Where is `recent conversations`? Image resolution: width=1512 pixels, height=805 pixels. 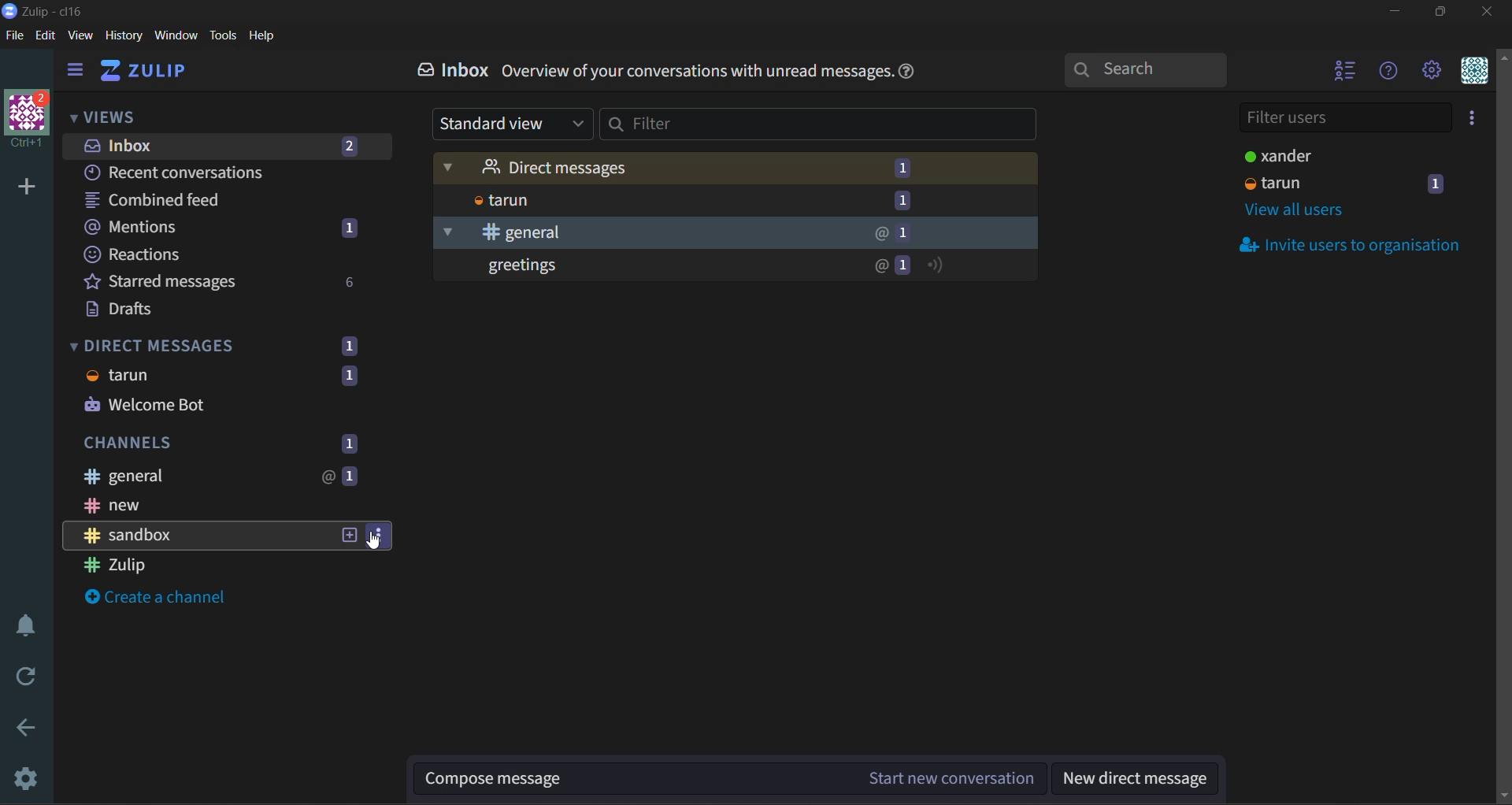
recent conversations is located at coordinates (191, 172).